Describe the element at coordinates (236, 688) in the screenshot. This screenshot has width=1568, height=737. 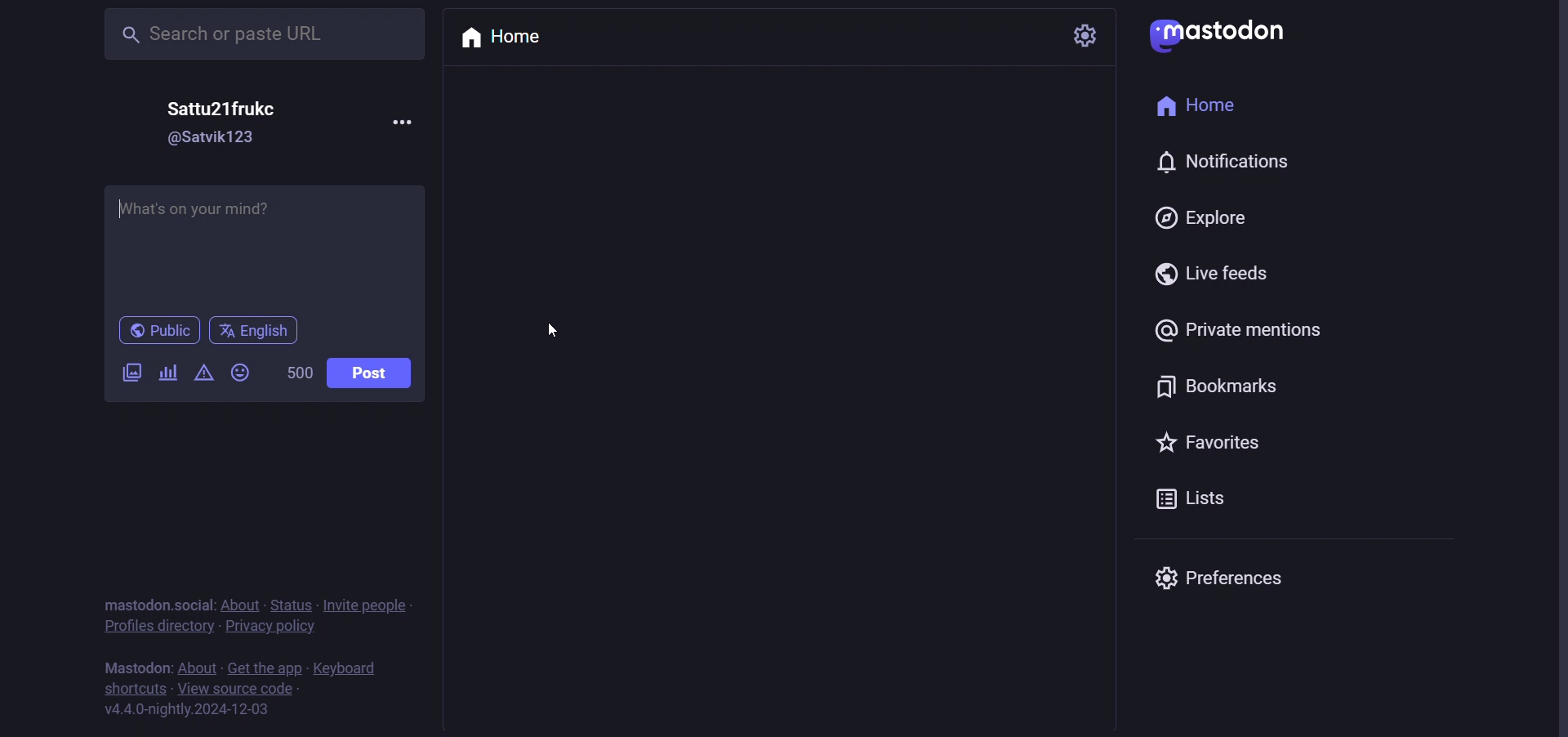
I see `source code` at that location.